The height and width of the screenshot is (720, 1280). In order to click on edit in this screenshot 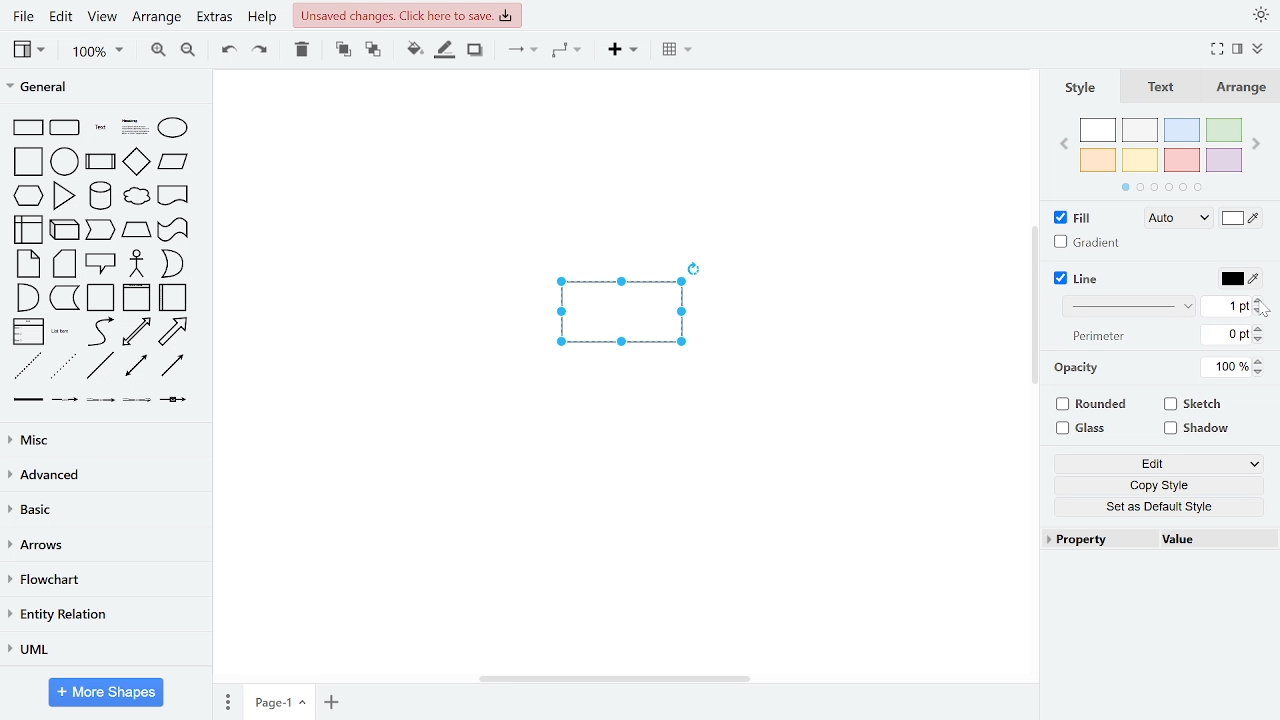, I will do `click(64, 16)`.